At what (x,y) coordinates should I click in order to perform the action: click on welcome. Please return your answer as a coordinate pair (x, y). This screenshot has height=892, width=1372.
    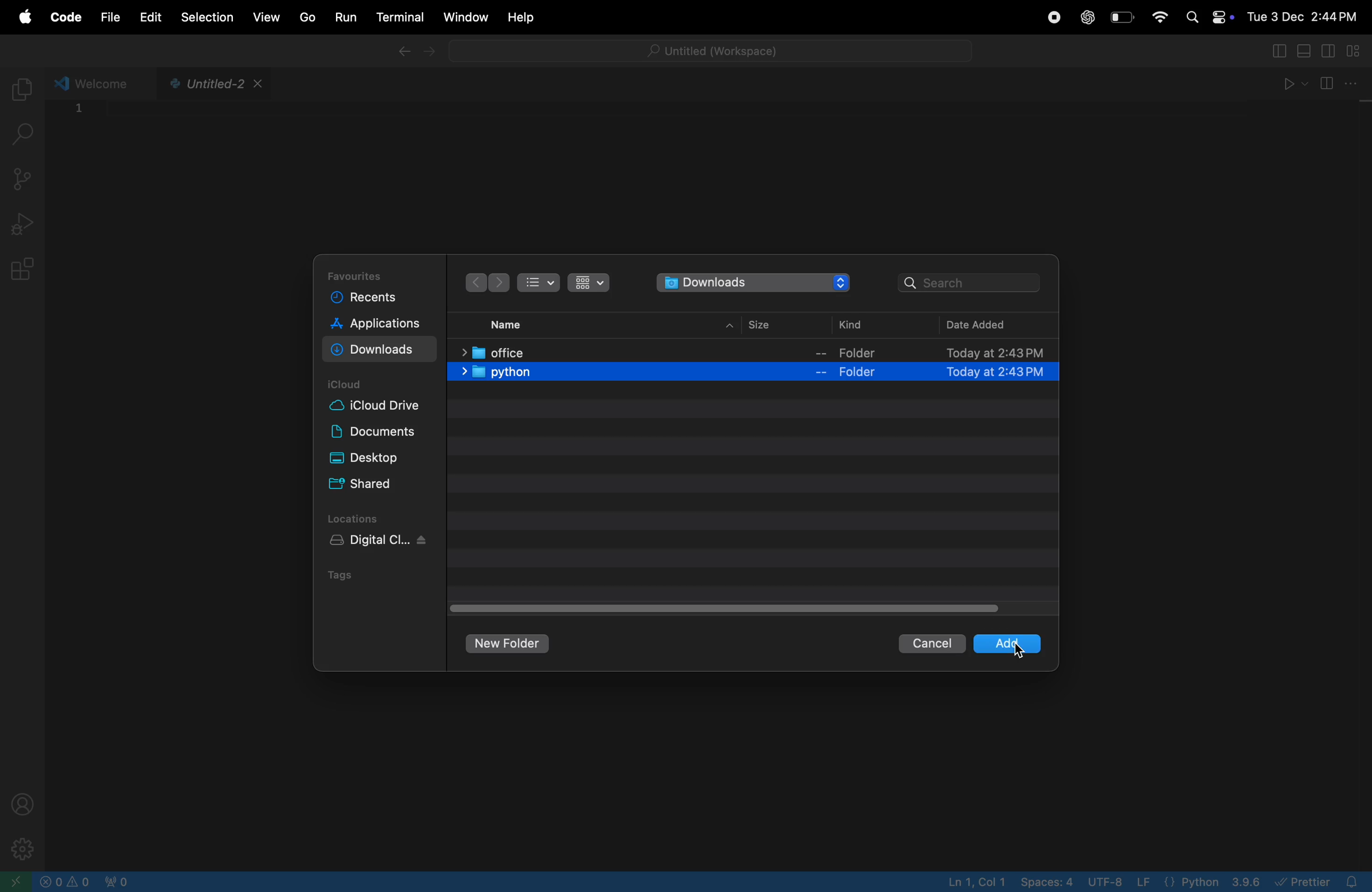
    Looking at the image, I should click on (96, 83).